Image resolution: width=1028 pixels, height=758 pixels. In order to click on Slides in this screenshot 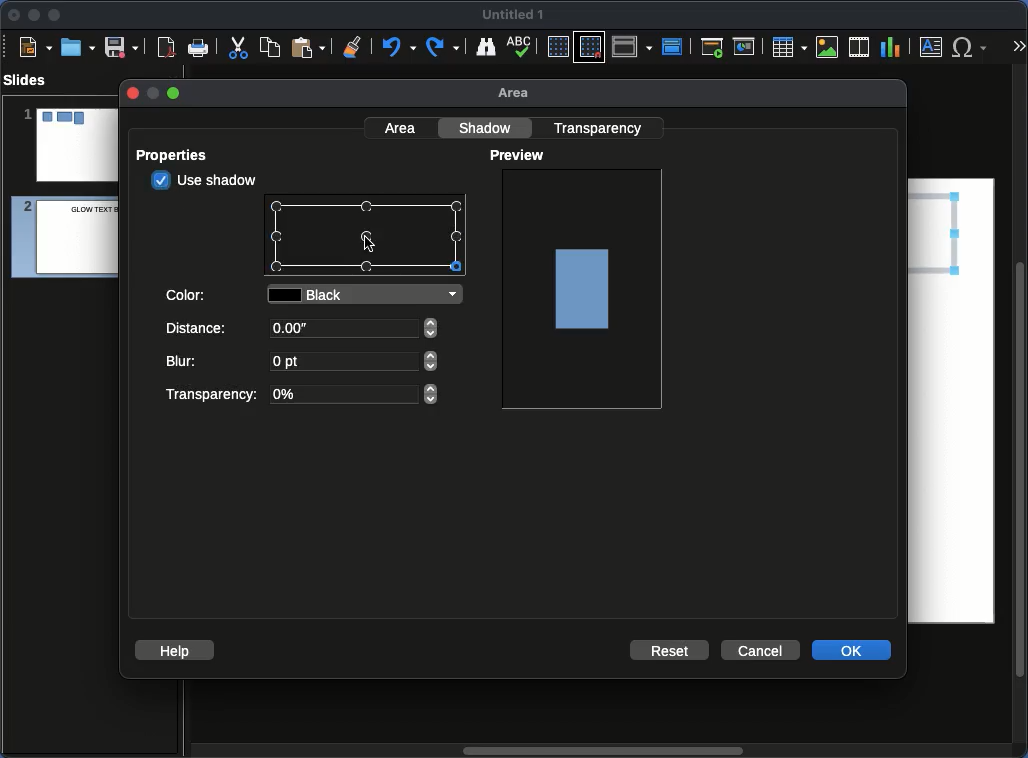, I will do `click(31, 80)`.